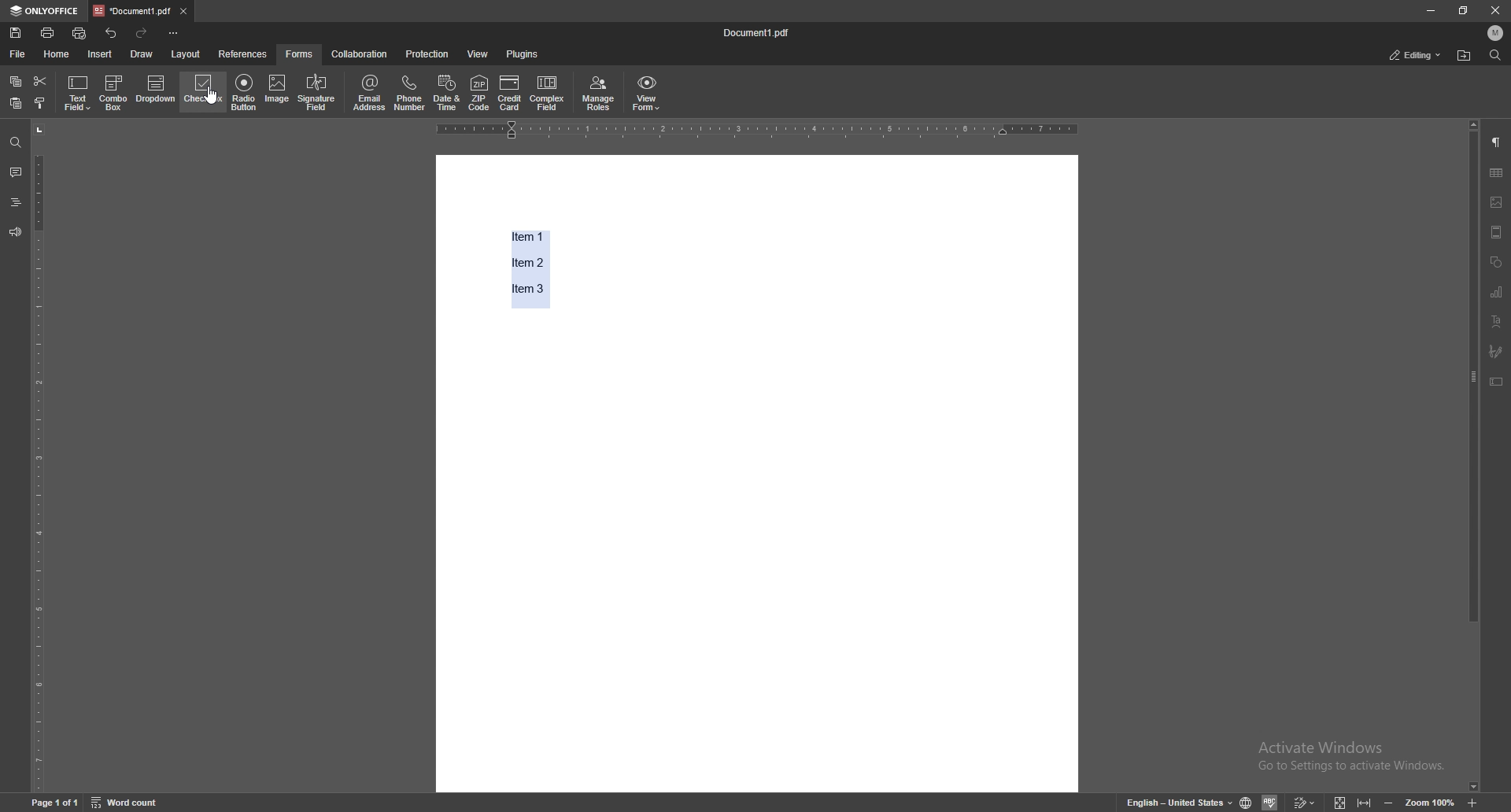  I want to click on spell check, so click(1269, 802).